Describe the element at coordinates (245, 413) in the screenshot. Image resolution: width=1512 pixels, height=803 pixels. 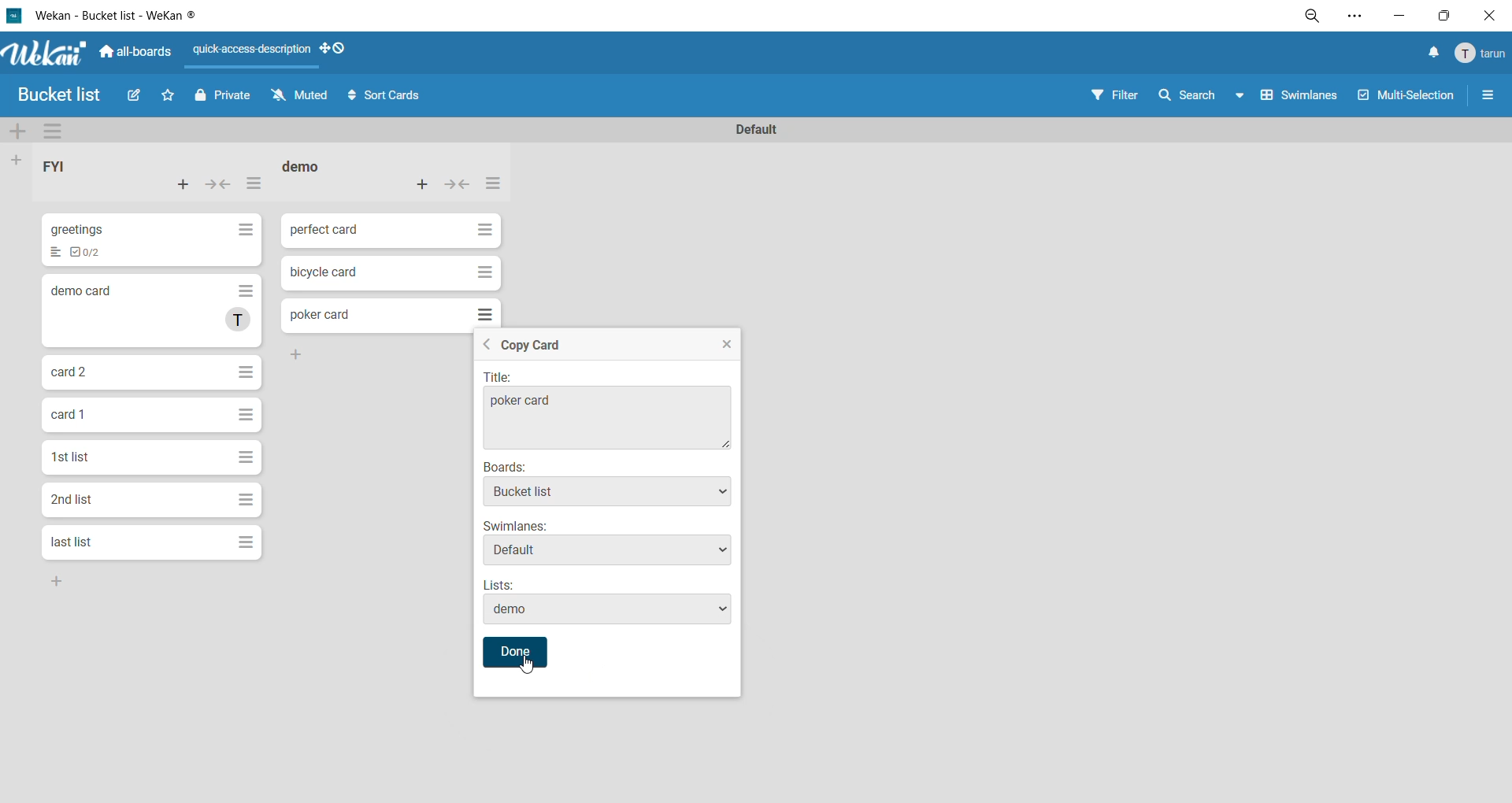
I see `Hamburger` at that location.